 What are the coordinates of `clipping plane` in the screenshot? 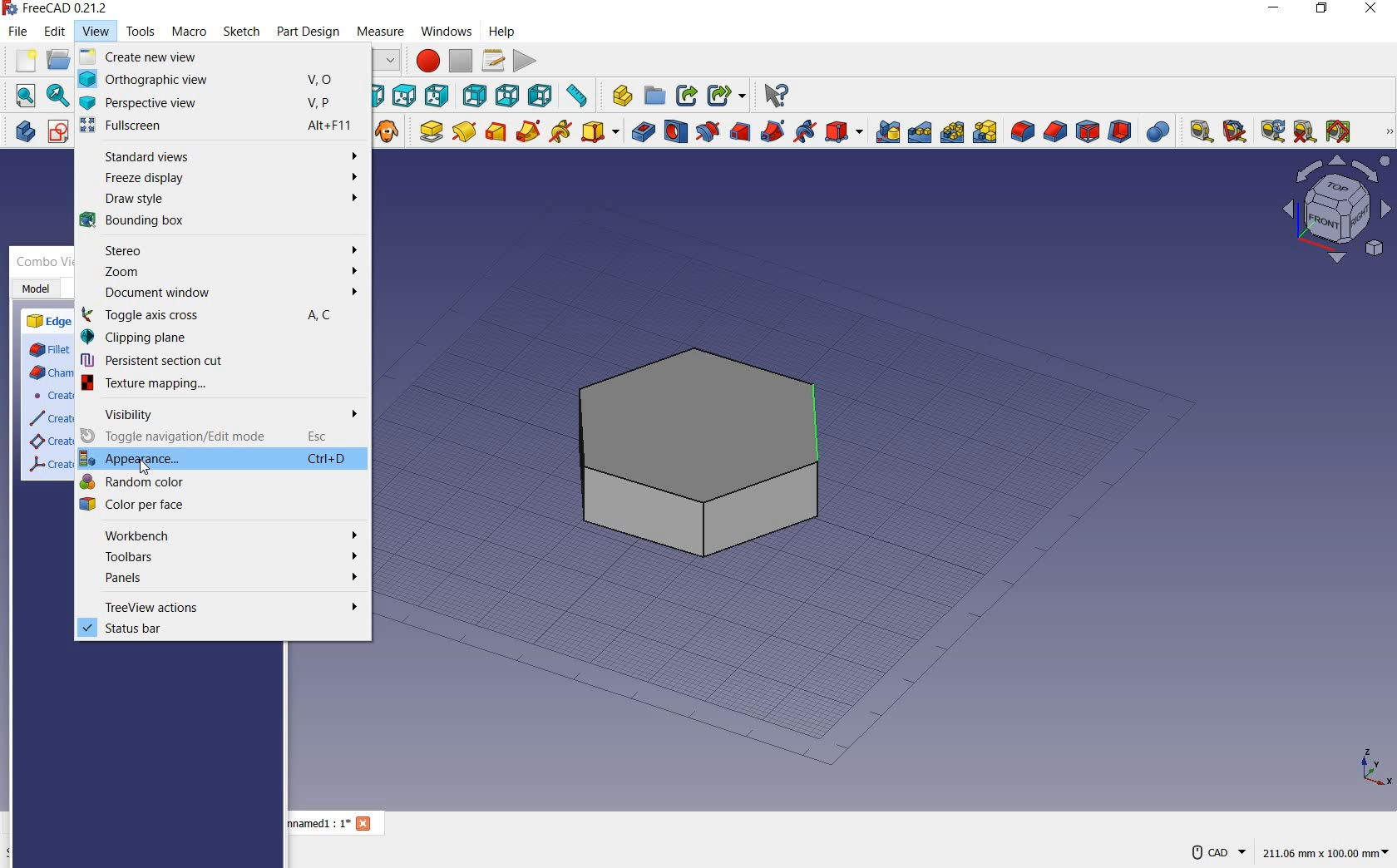 It's located at (227, 338).